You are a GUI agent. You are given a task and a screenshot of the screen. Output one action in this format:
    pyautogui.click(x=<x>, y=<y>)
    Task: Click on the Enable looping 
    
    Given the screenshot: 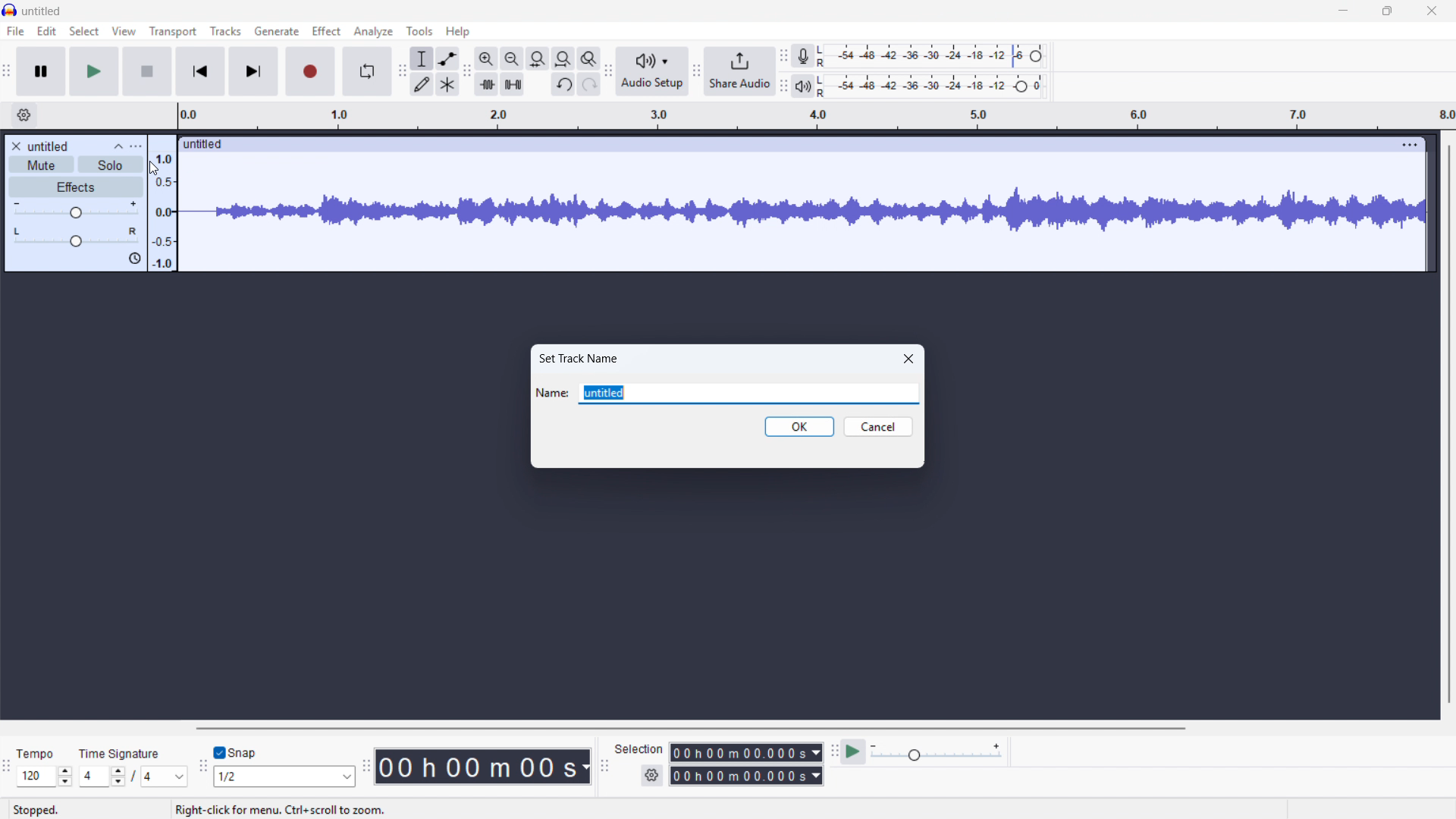 What is the action you would take?
    pyautogui.click(x=366, y=71)
    